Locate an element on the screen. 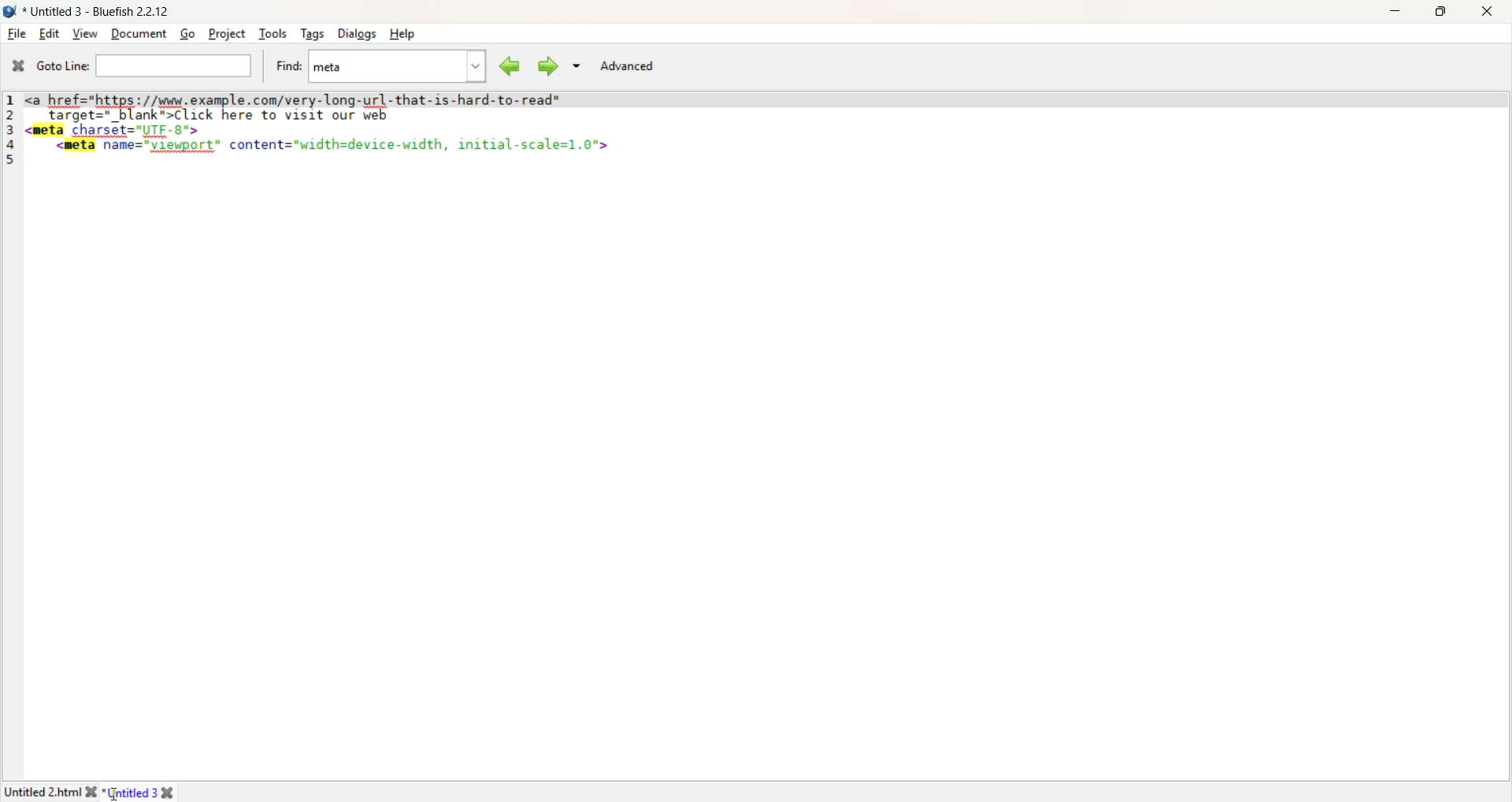  close file 2 is located at coordinates (174, 792).